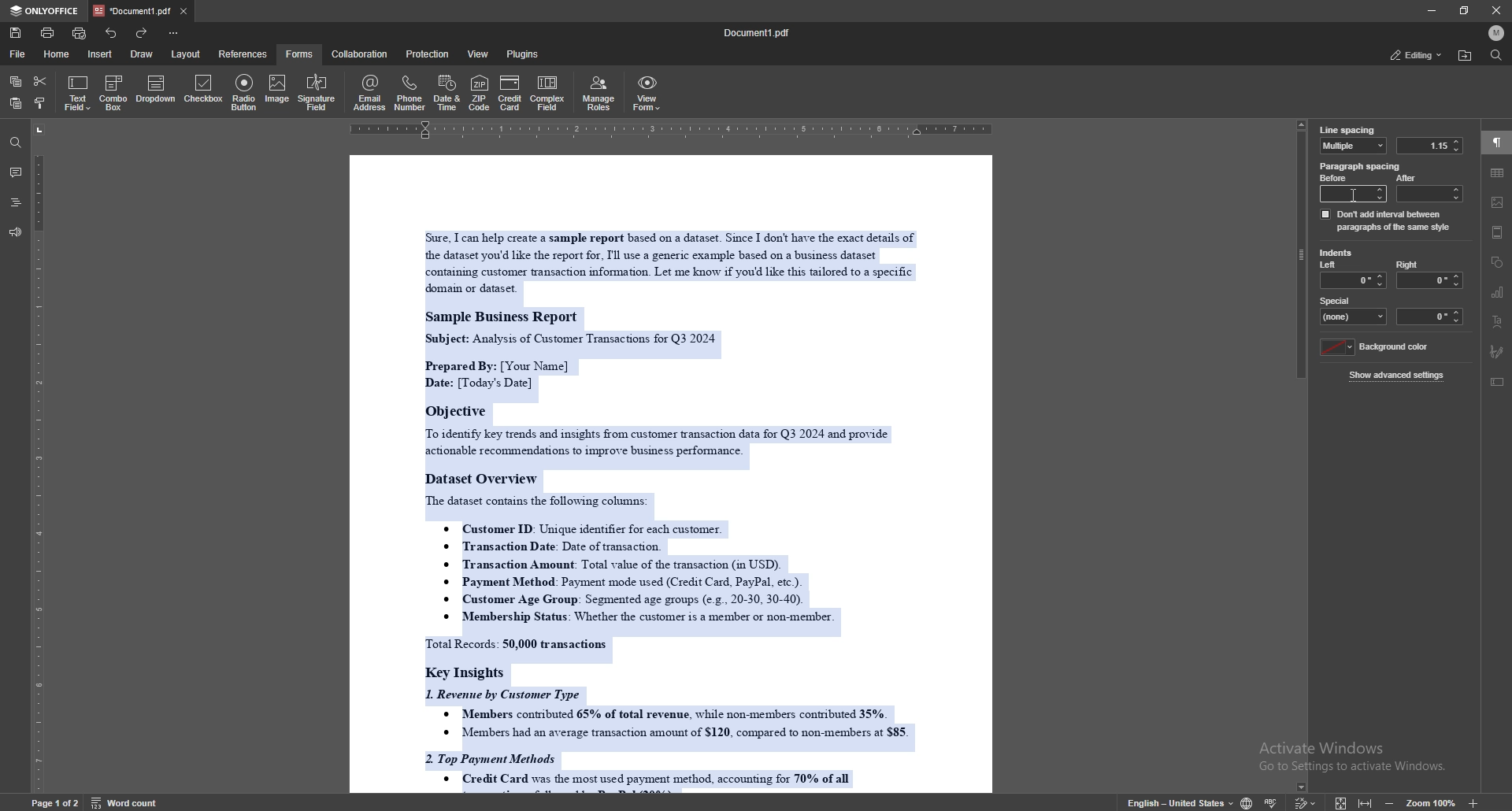 This screenshot has width=1512, height=811. I want to click on paragraph, so click(1497, 143).